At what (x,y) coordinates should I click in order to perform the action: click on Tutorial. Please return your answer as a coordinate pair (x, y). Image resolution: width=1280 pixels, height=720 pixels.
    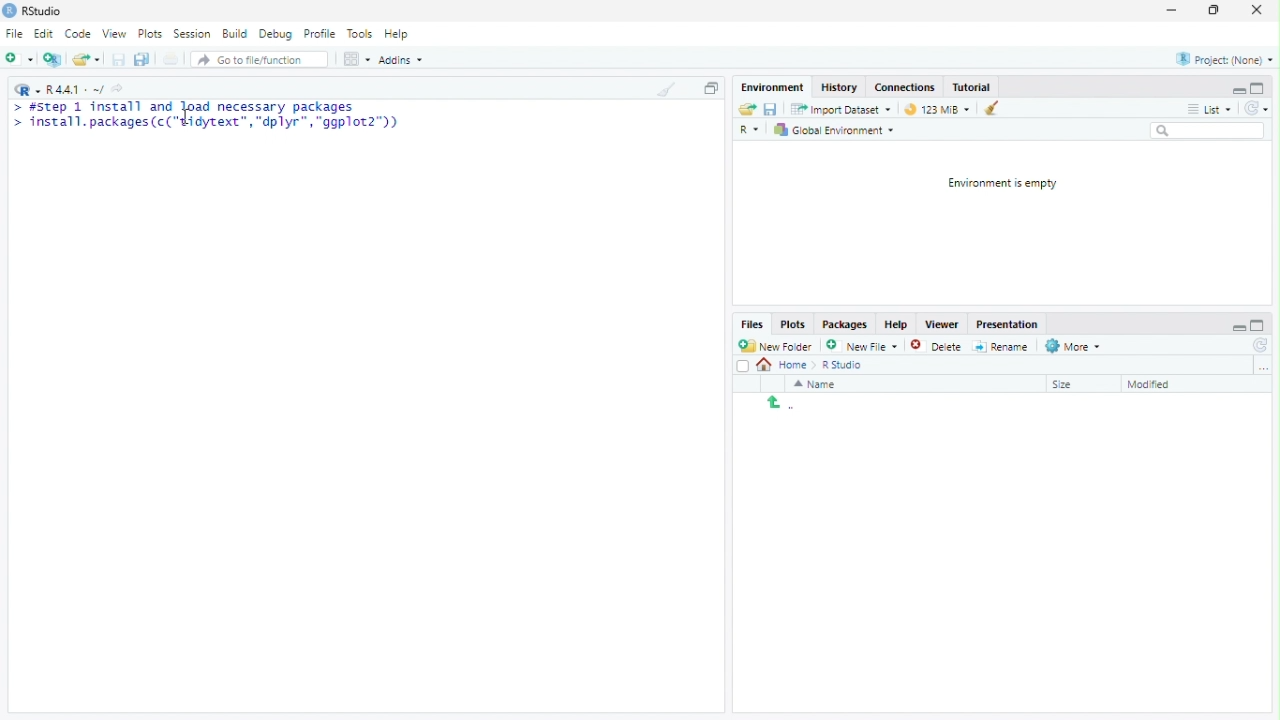
    Looking at the image, I should click on (972, 87).